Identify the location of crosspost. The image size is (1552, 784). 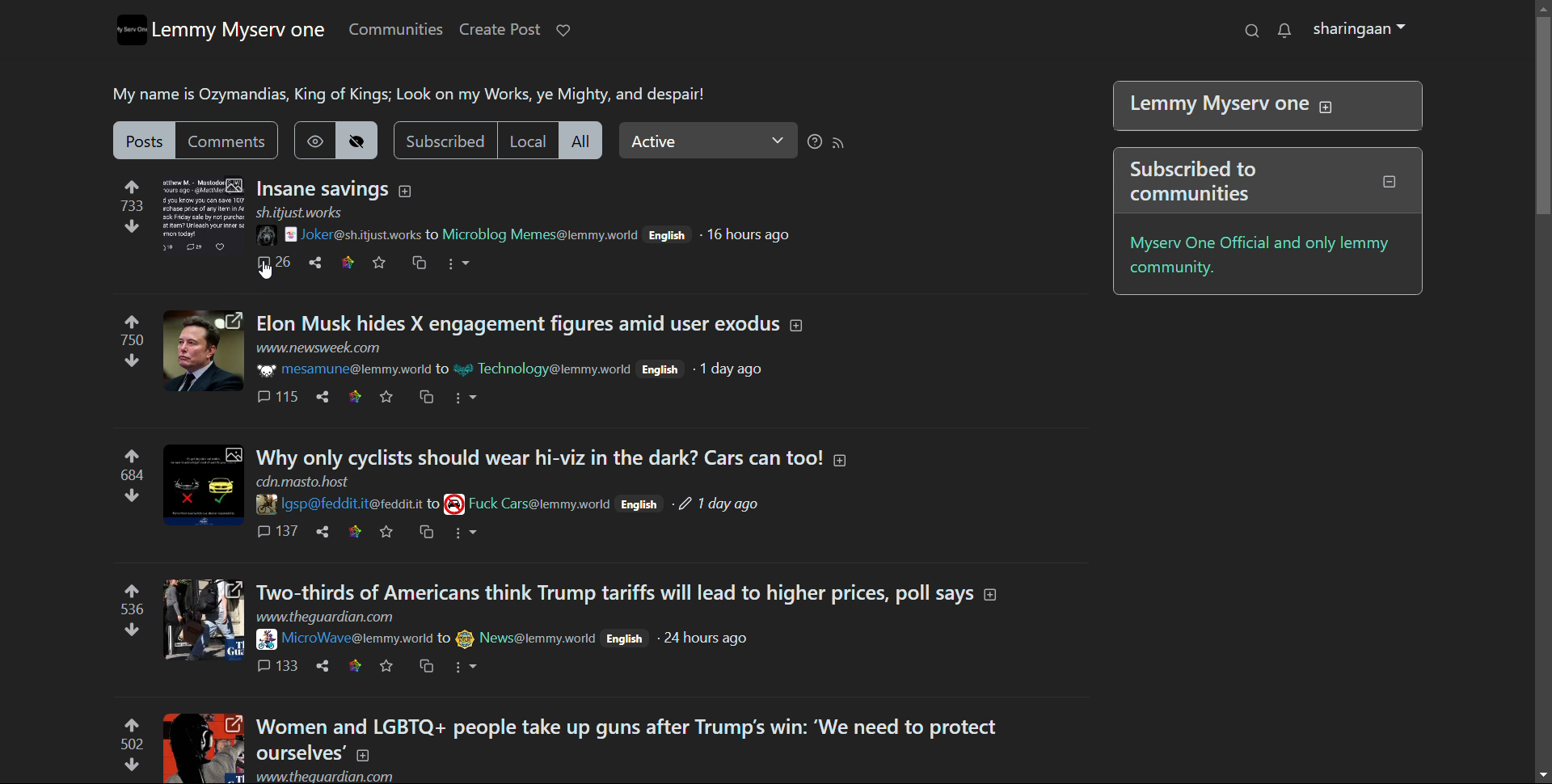
(427, 665).